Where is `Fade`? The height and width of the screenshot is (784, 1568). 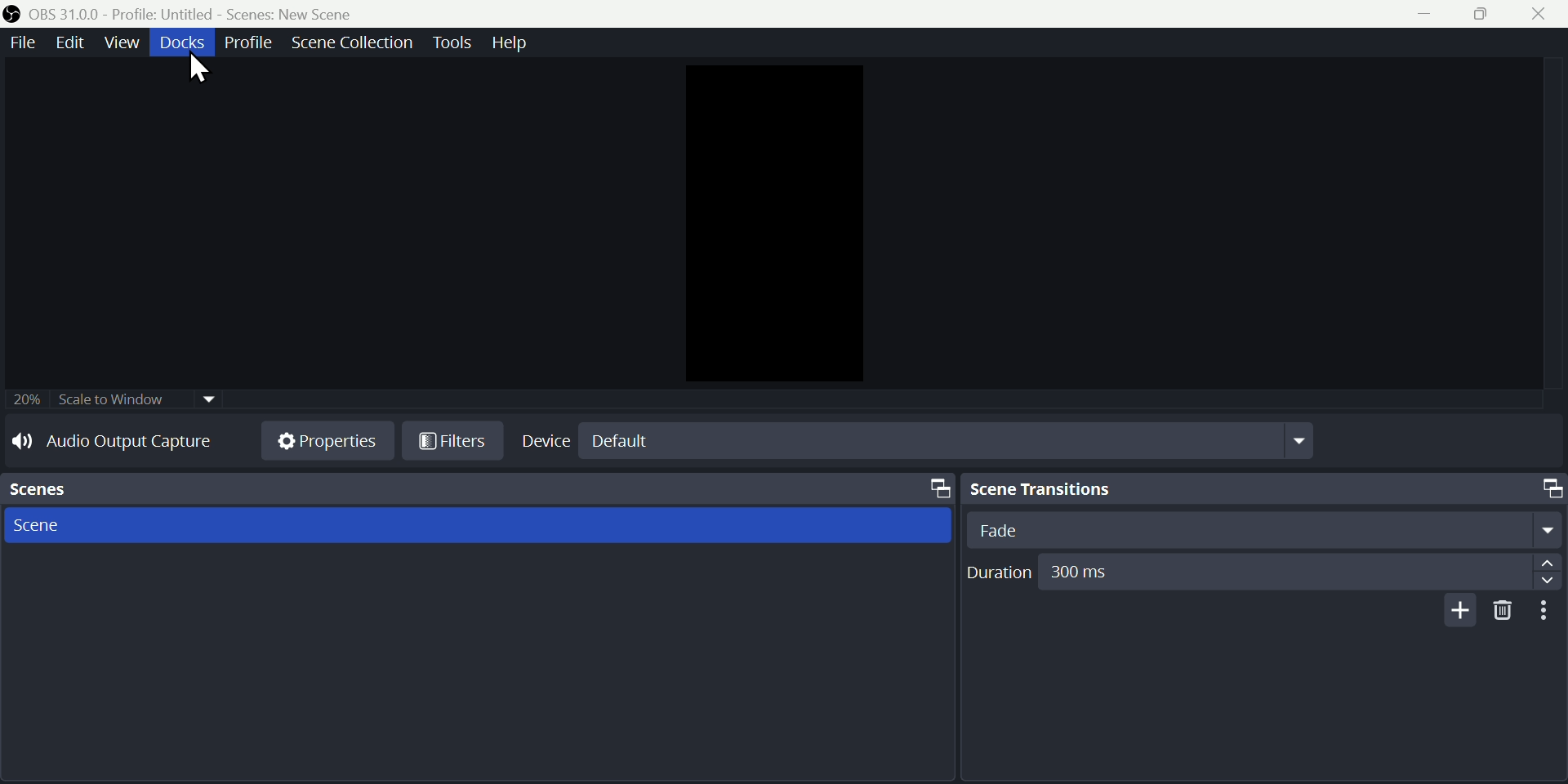 Fade is located at coordinates (1264, 530).